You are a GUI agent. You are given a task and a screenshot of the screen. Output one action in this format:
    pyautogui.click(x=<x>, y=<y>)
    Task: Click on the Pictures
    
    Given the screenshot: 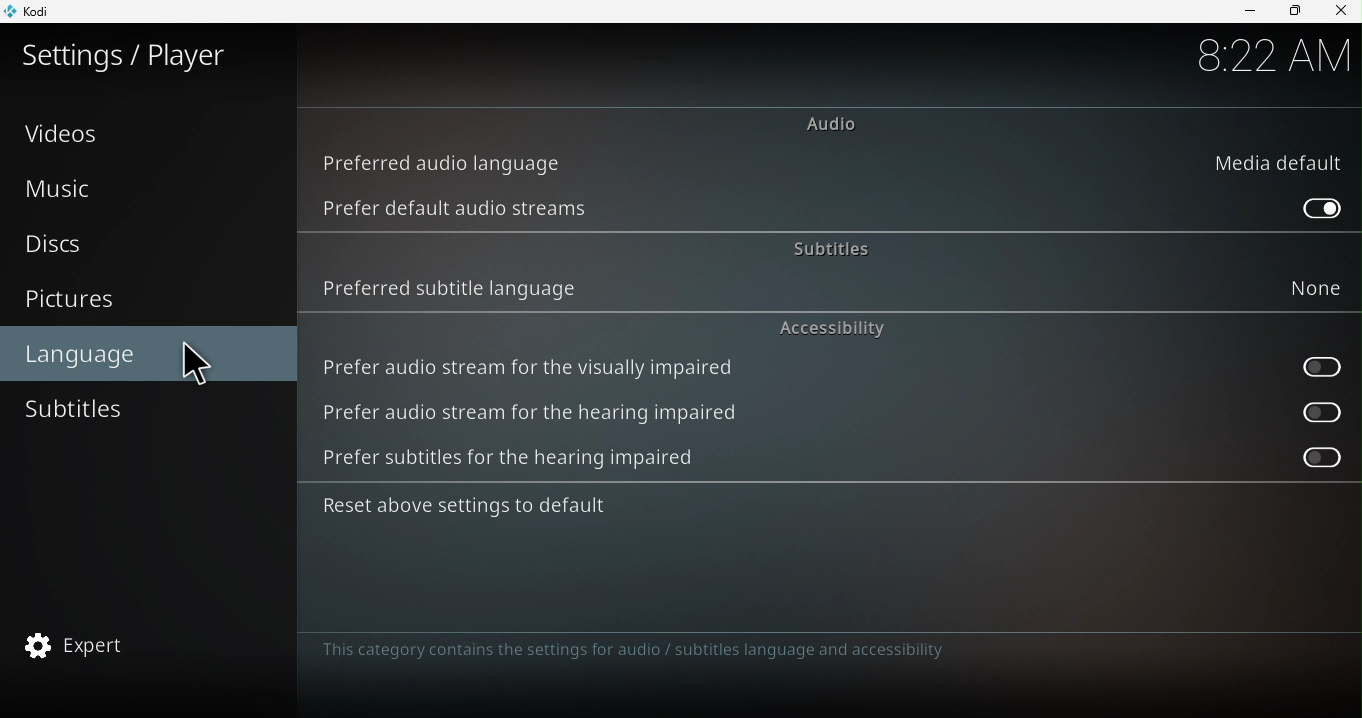 What is the action you would take?
    pyautogui.click(x=147, y=301)
    